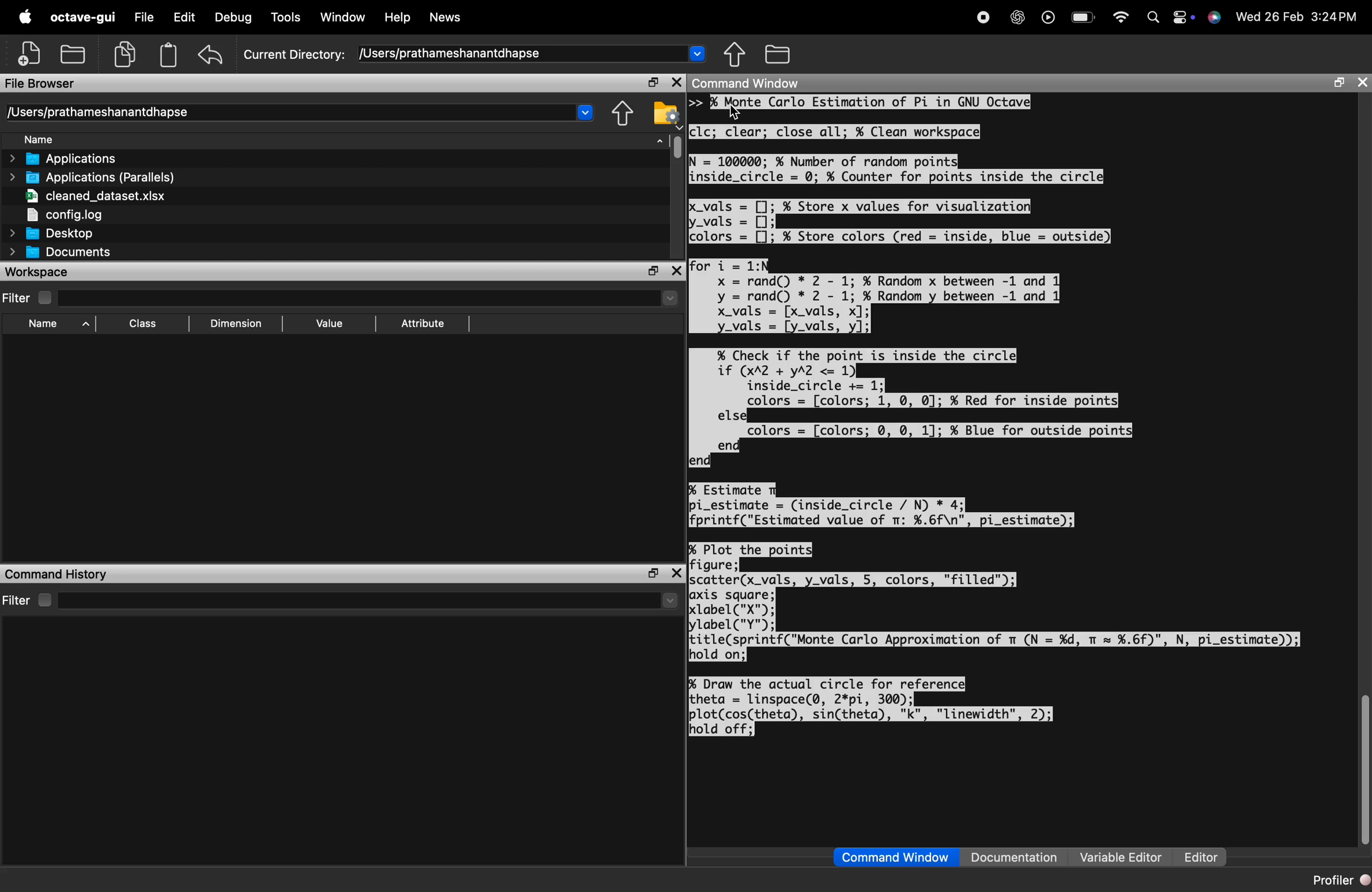  What do you see at coordinates (651, 83) in the screenshot?
I see `Maximize` at bounding box center [651, 83].